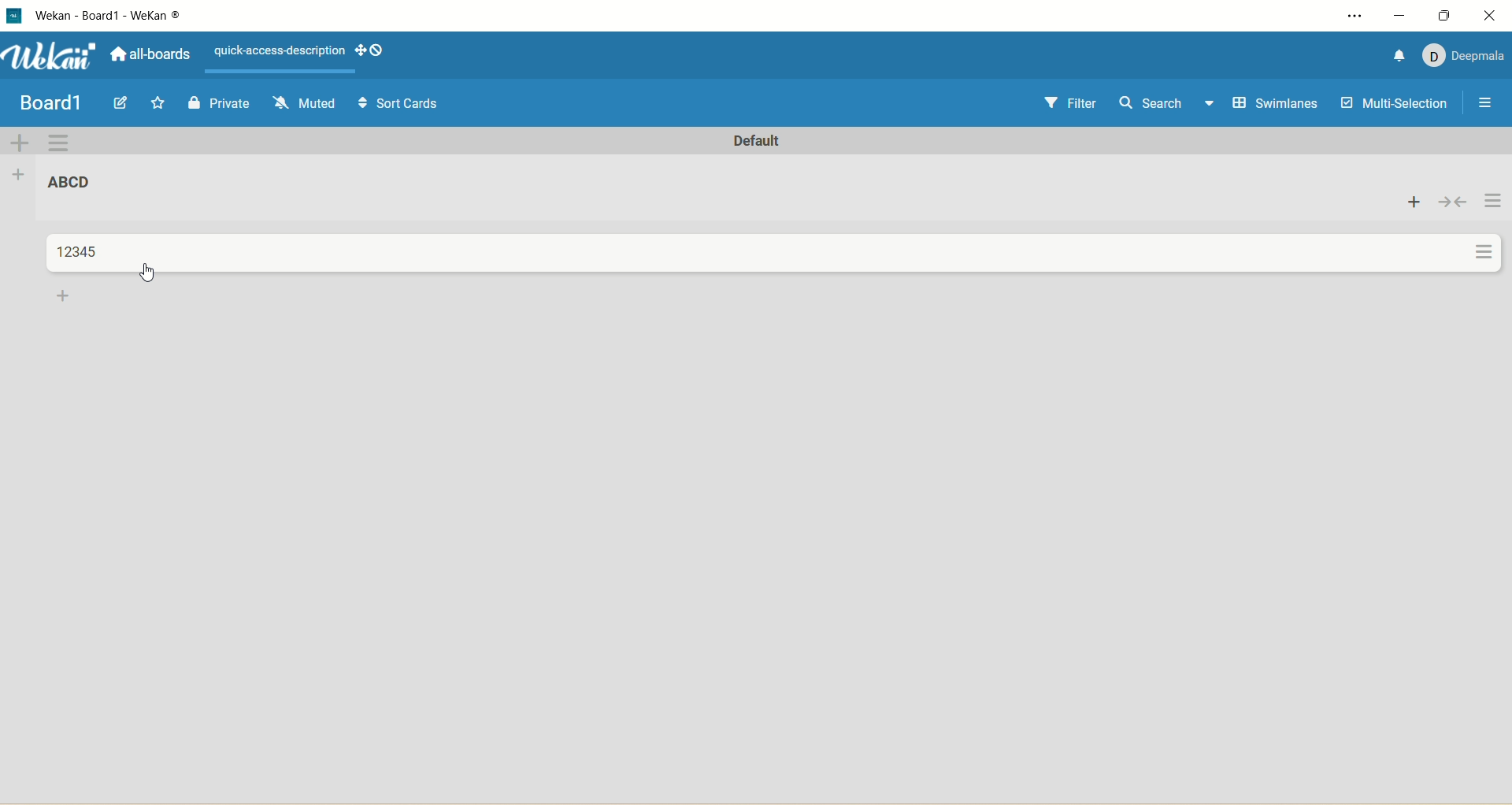 Image resolution: width=1512 pixels, height=805 pixels. What do you see at coordinates (17, 142) in the screenshot?
I see `add swimlane` at bounding box center [17, 142].